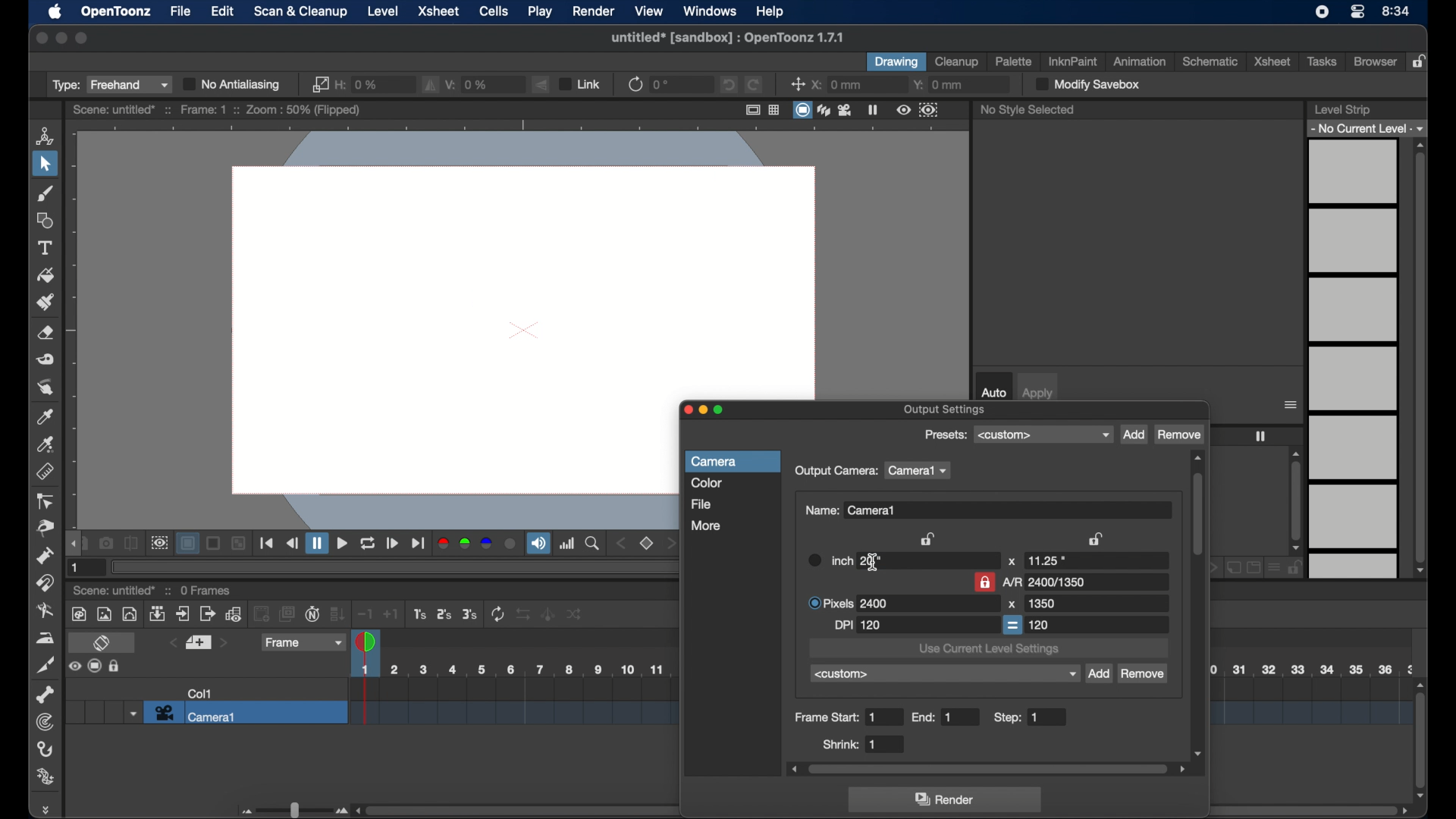 The height and width of the screenshot is (819, 1456). I want to click on redo, so click(754, 85).